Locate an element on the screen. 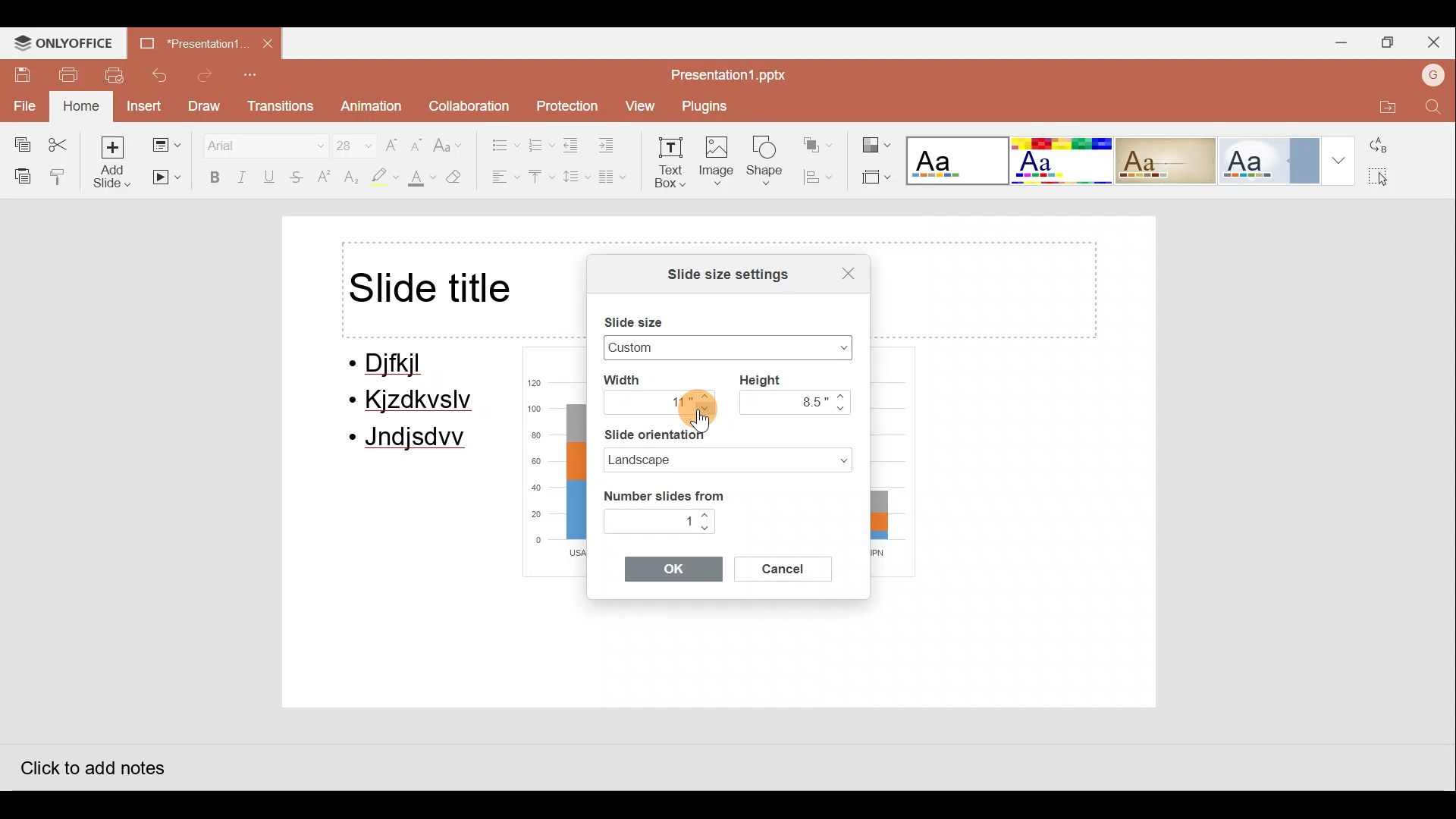 The image size is (1456, 819). Landscape is located at coordinates (692, 460).